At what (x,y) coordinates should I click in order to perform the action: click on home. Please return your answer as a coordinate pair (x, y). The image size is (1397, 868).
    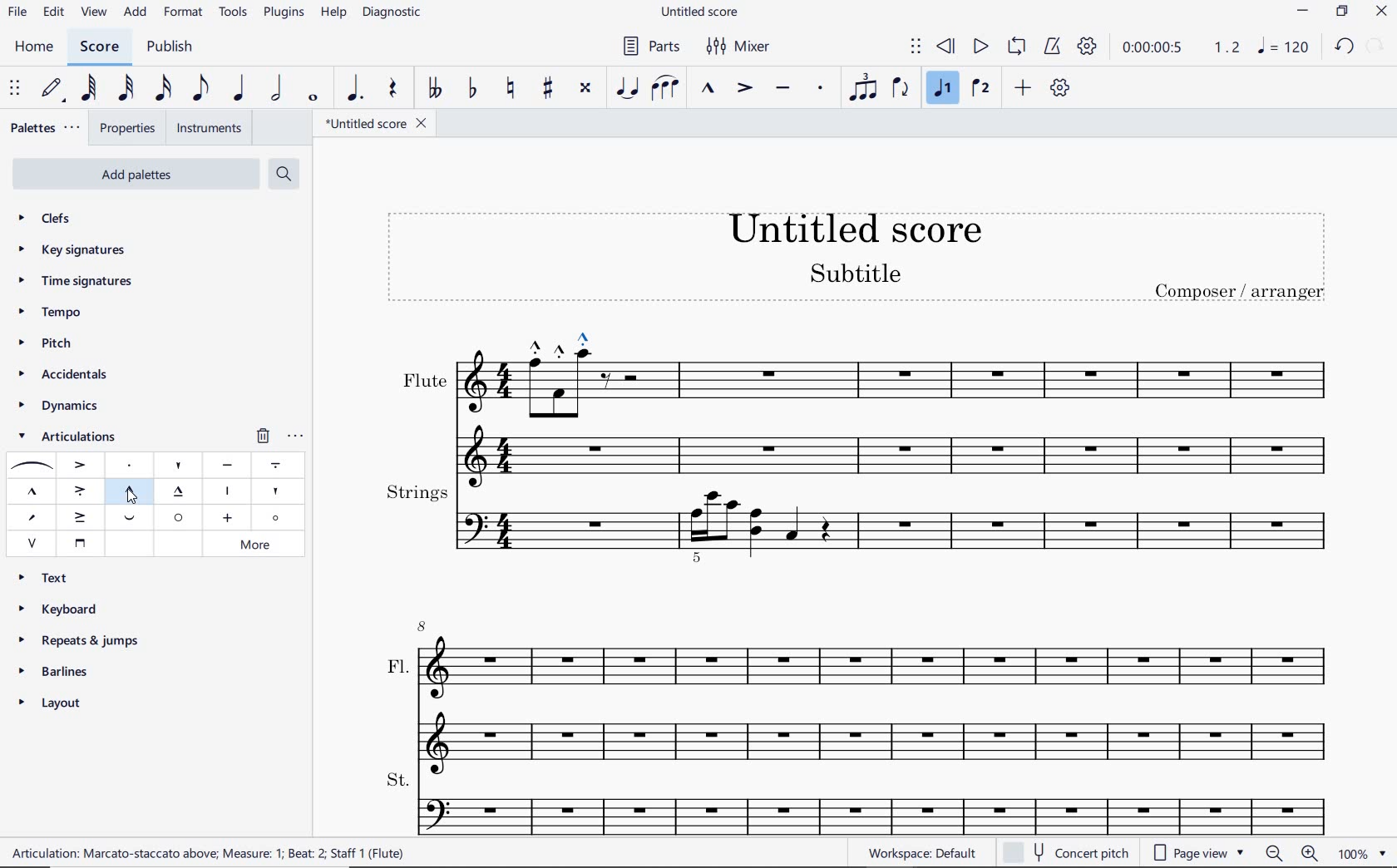
    Looking at the image, I should click on (37, 48).